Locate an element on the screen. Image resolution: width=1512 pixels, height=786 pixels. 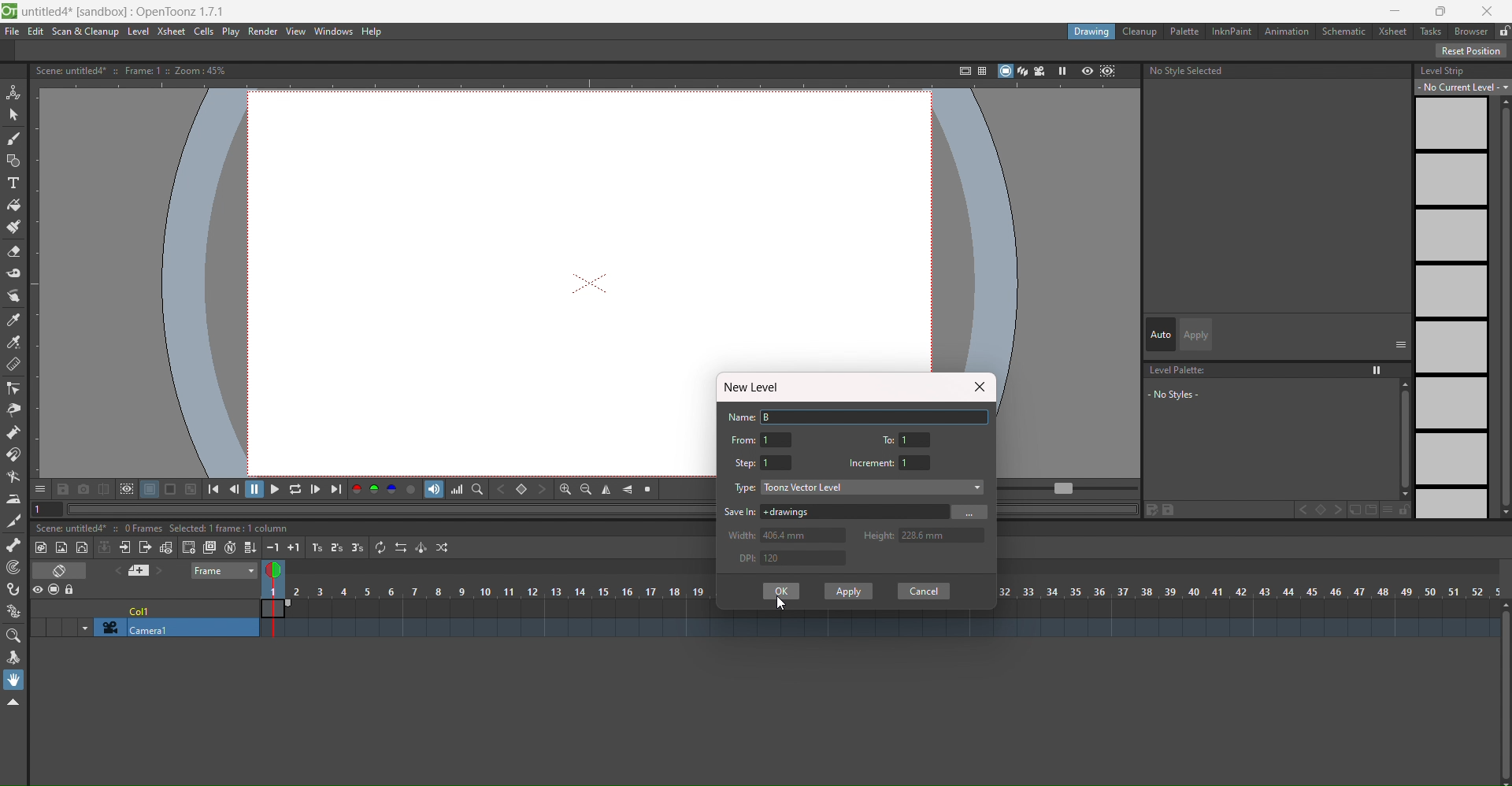
animation tool is located at coordinates (14, 93).